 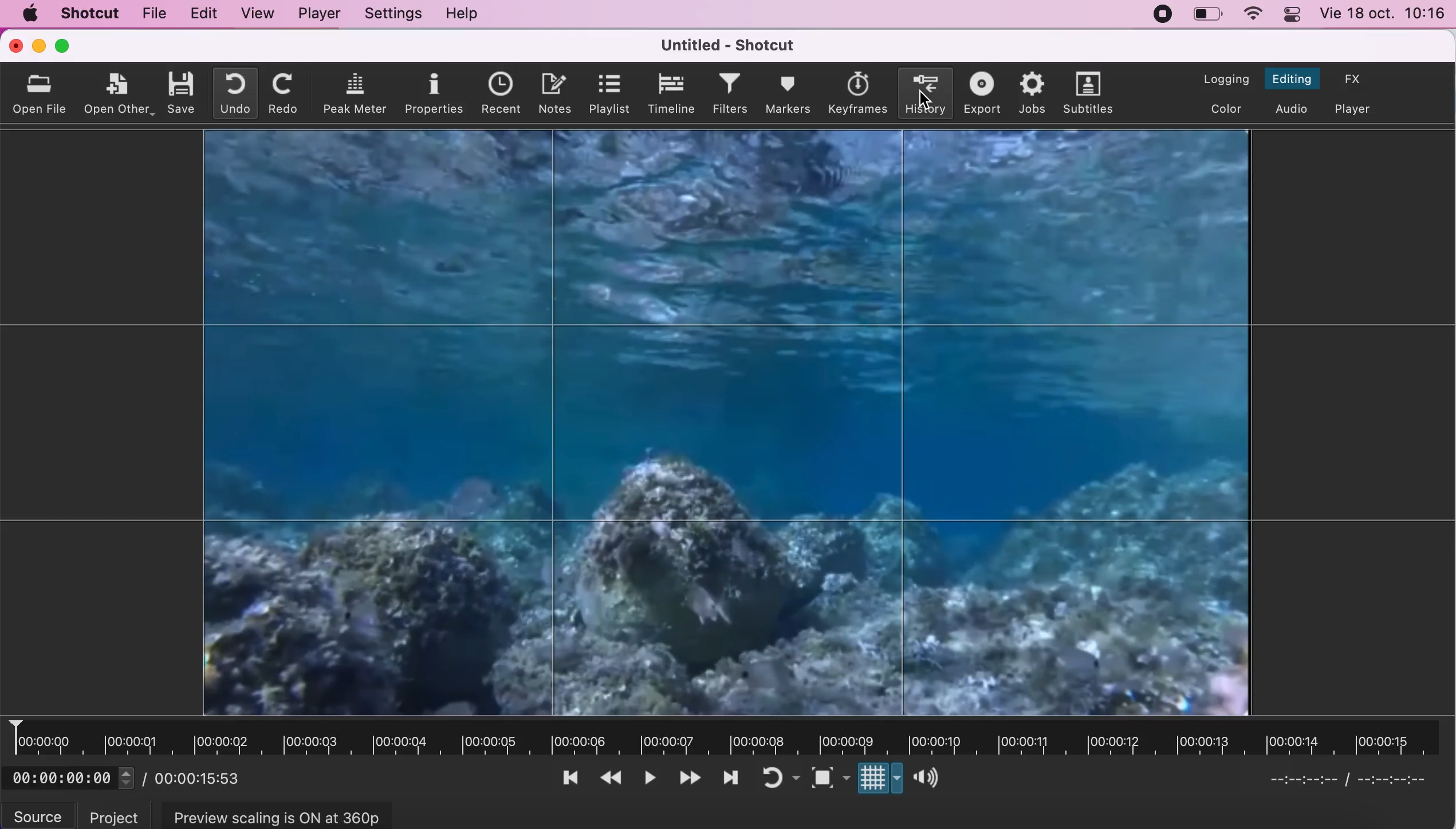 What do you see at coordinates (787, 93) in the screenshot?
I see `markers` at bounding box center [787, 93].